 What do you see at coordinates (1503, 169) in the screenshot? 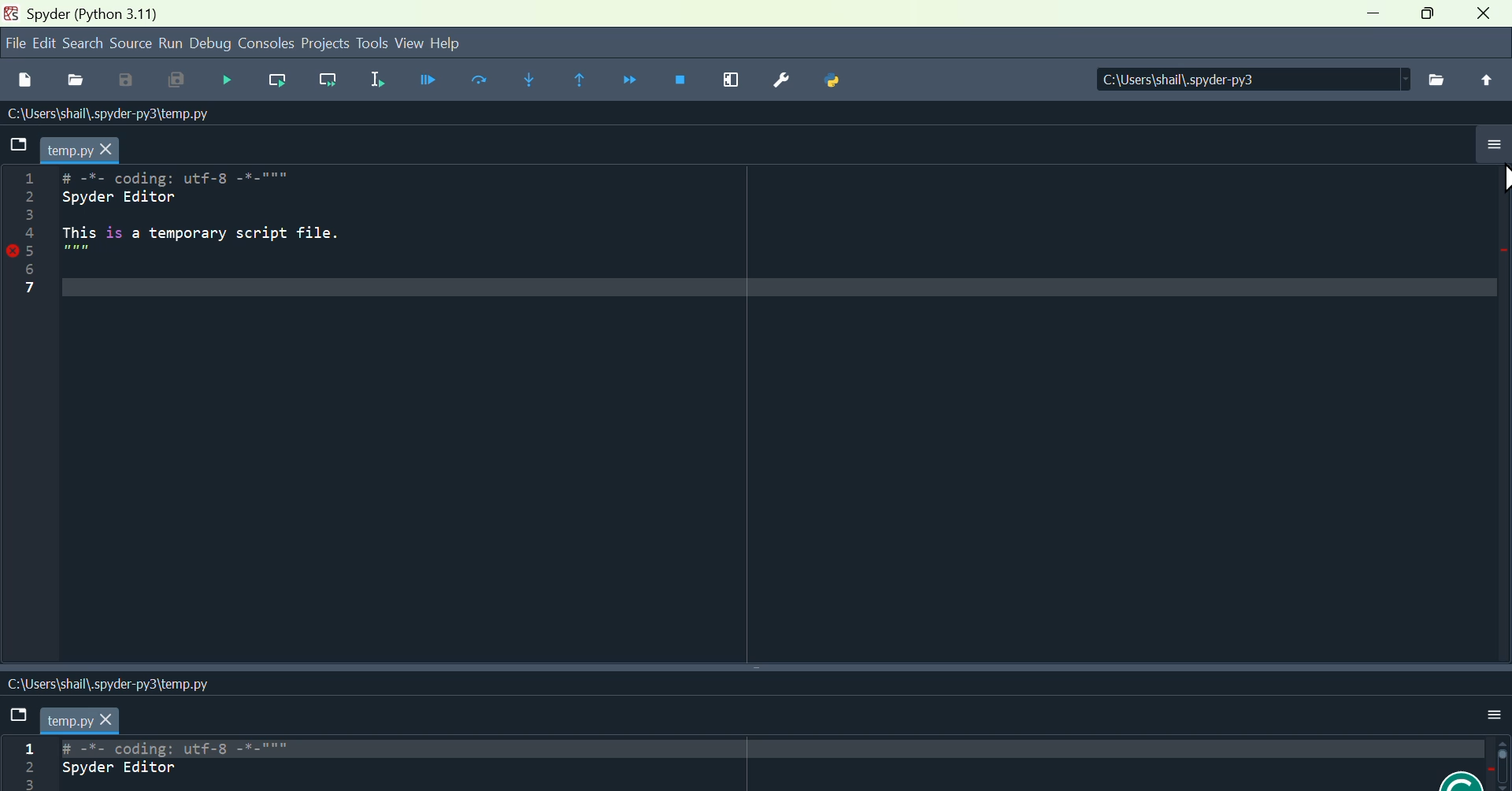
I see `Cursor on More option` at bounding box center [1503, 169].